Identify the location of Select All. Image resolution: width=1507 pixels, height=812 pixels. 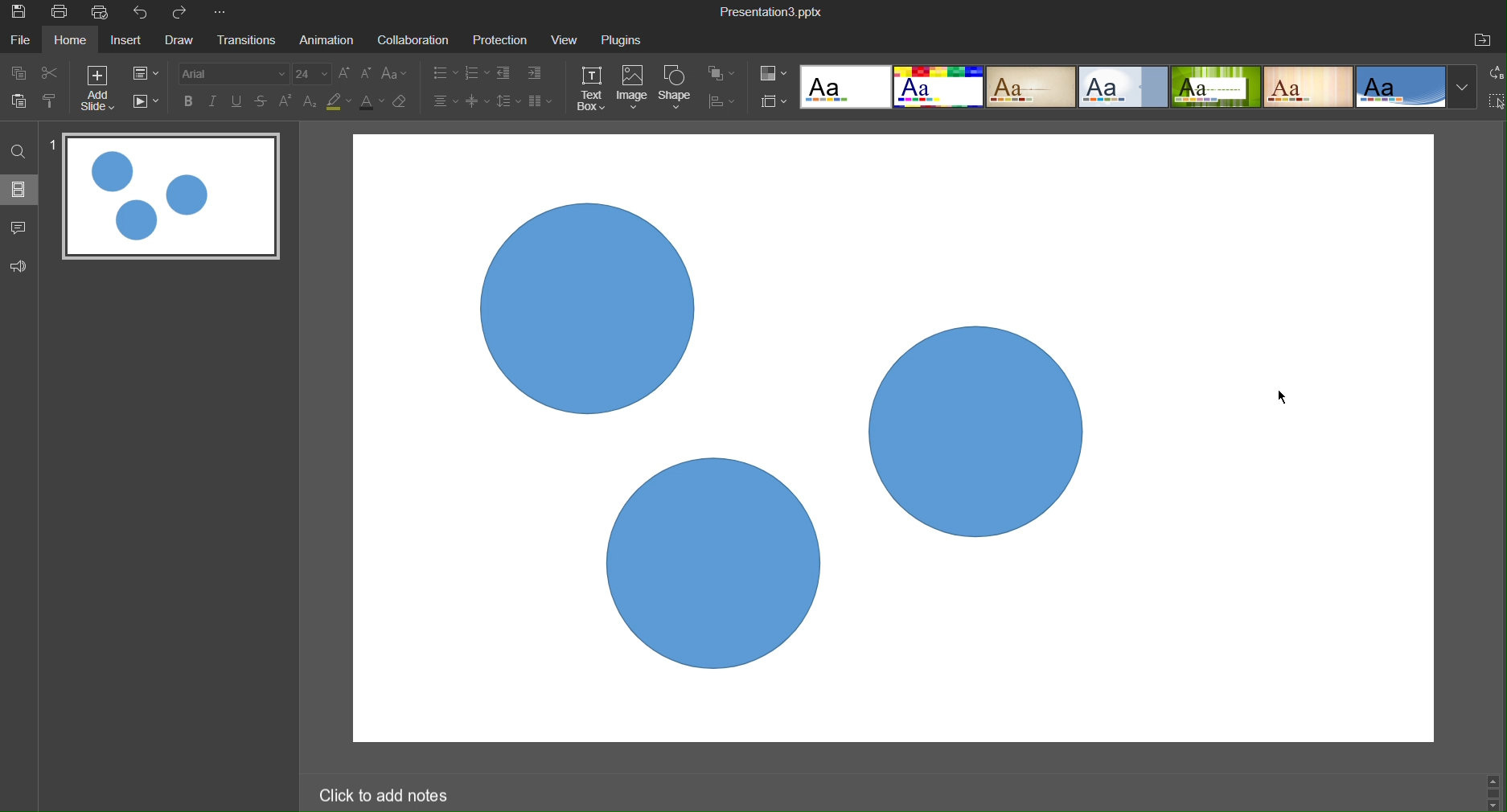
(1497, 103).